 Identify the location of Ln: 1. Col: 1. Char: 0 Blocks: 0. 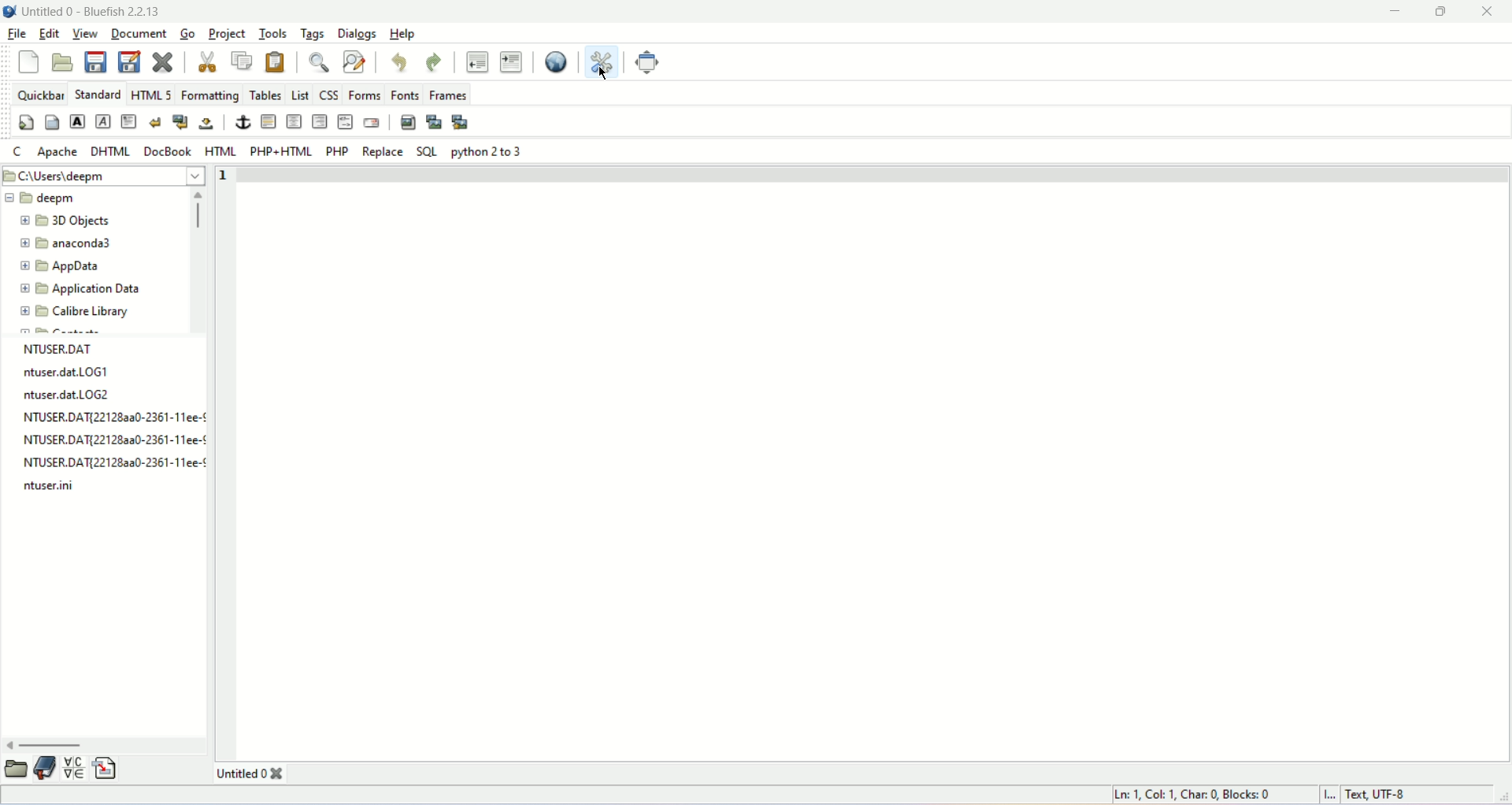
(1195, 793).